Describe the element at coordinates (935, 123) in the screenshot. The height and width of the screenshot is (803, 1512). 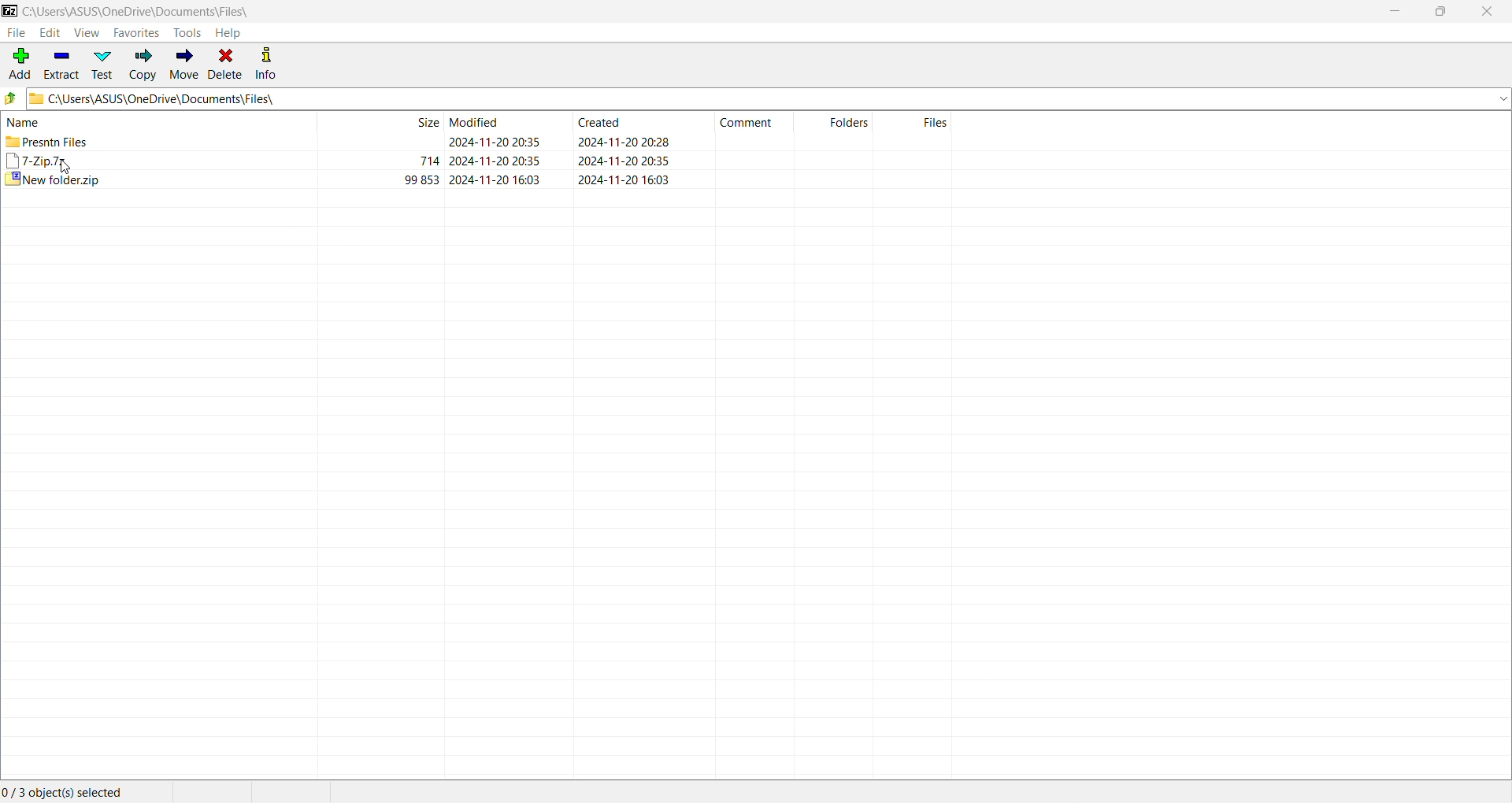
I see `Files` at that location.